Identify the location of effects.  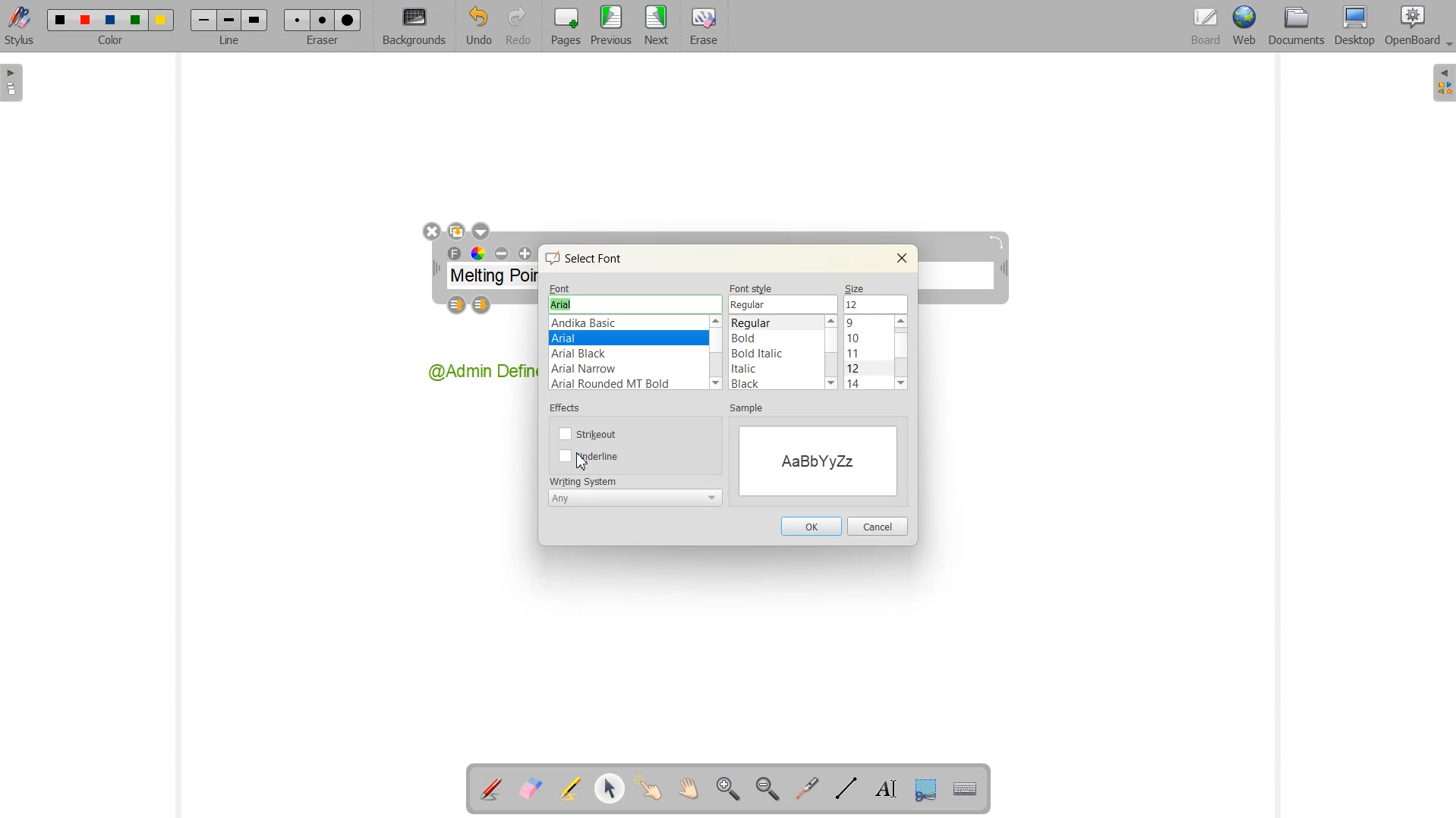
(568, 411).